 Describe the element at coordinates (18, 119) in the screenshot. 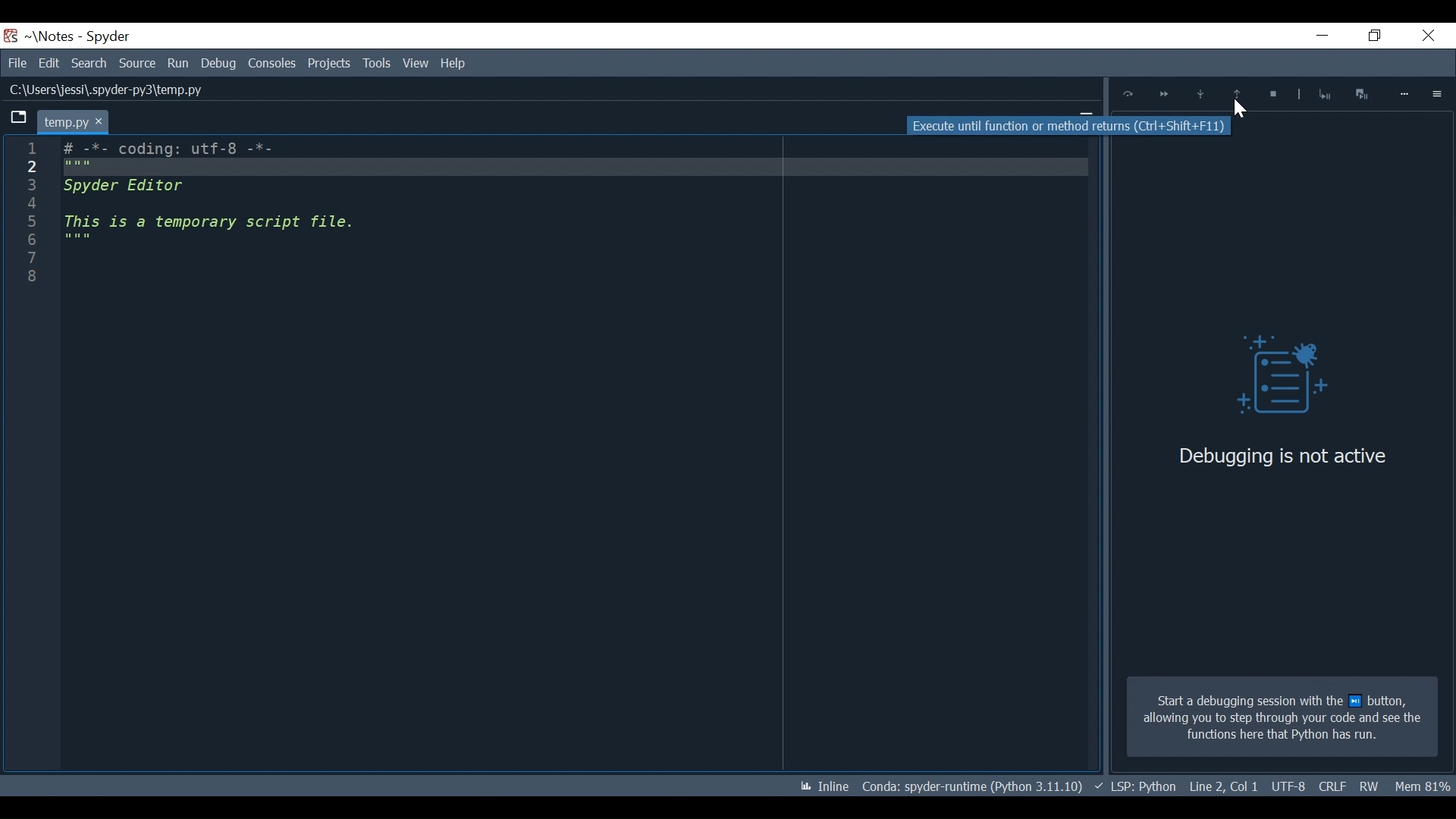

I see `Browse tab` at that location.